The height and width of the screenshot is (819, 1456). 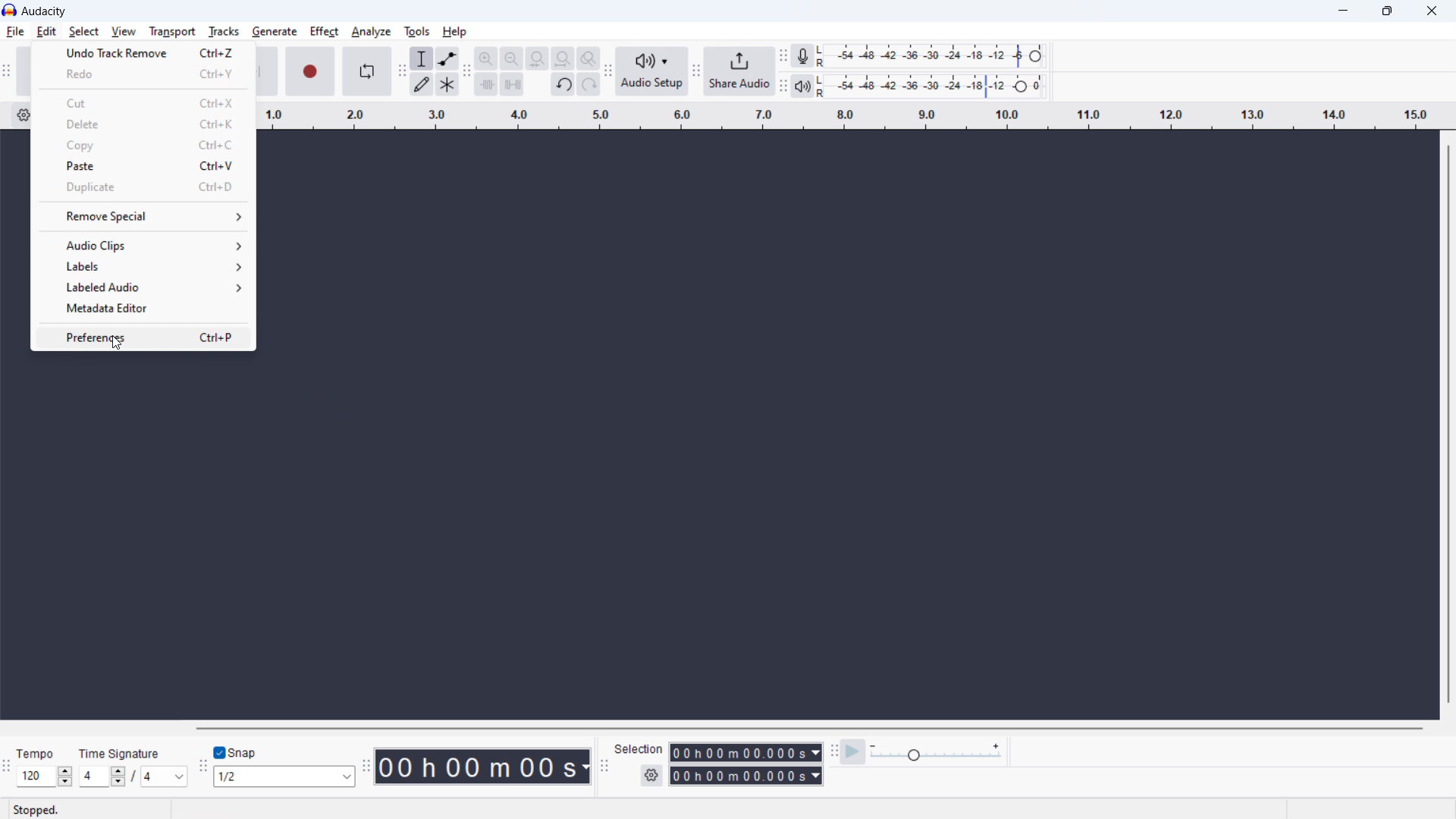 What do you see at coordinates (143, 187) in the screenshot?
I see `duplicate` at bounding box center [143, 187].